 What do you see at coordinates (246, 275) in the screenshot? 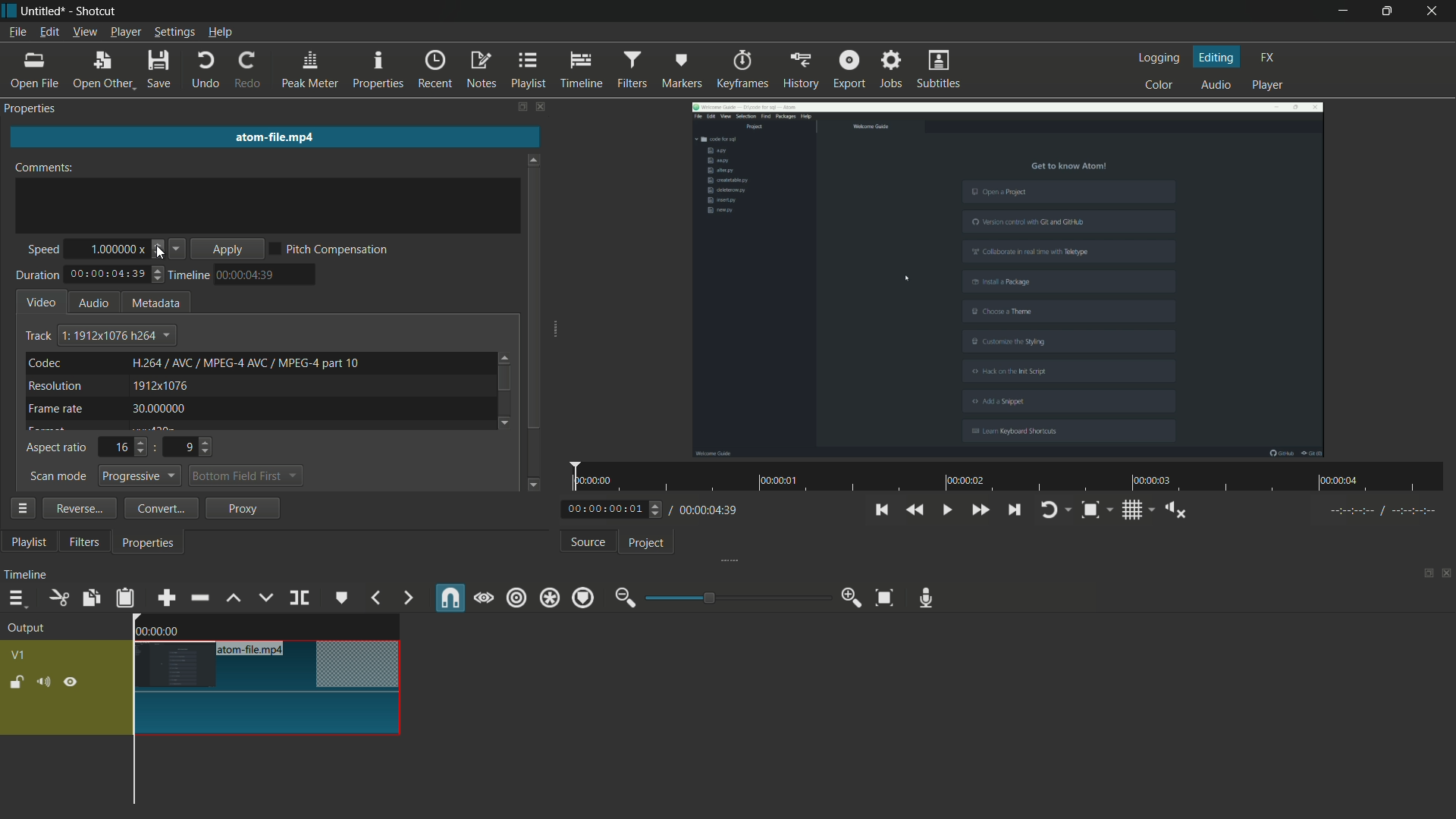
I see `time` at bounding box center [246, 275].